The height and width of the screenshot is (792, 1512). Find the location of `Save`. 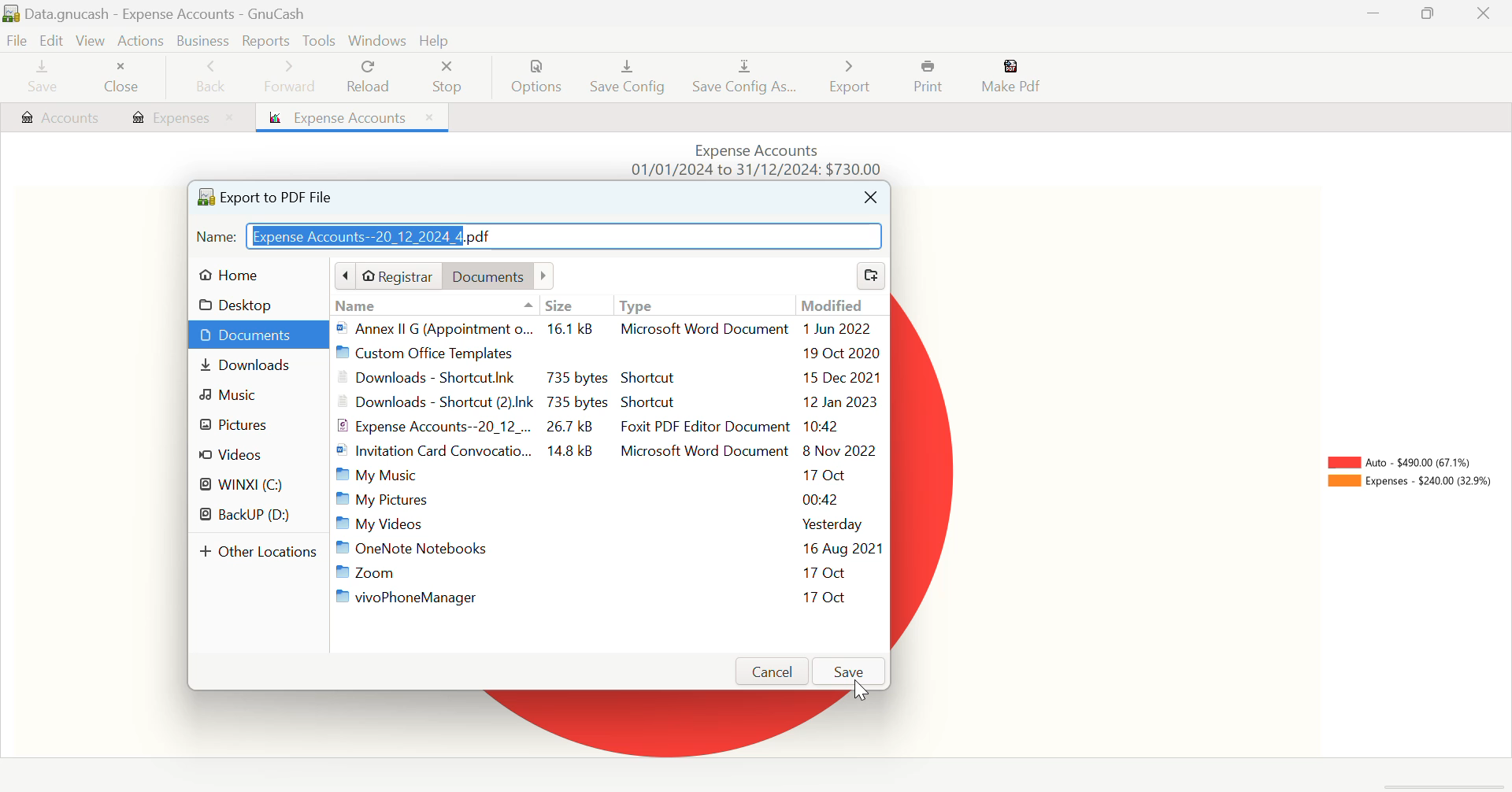

Save is located at coordinates (850, 671).